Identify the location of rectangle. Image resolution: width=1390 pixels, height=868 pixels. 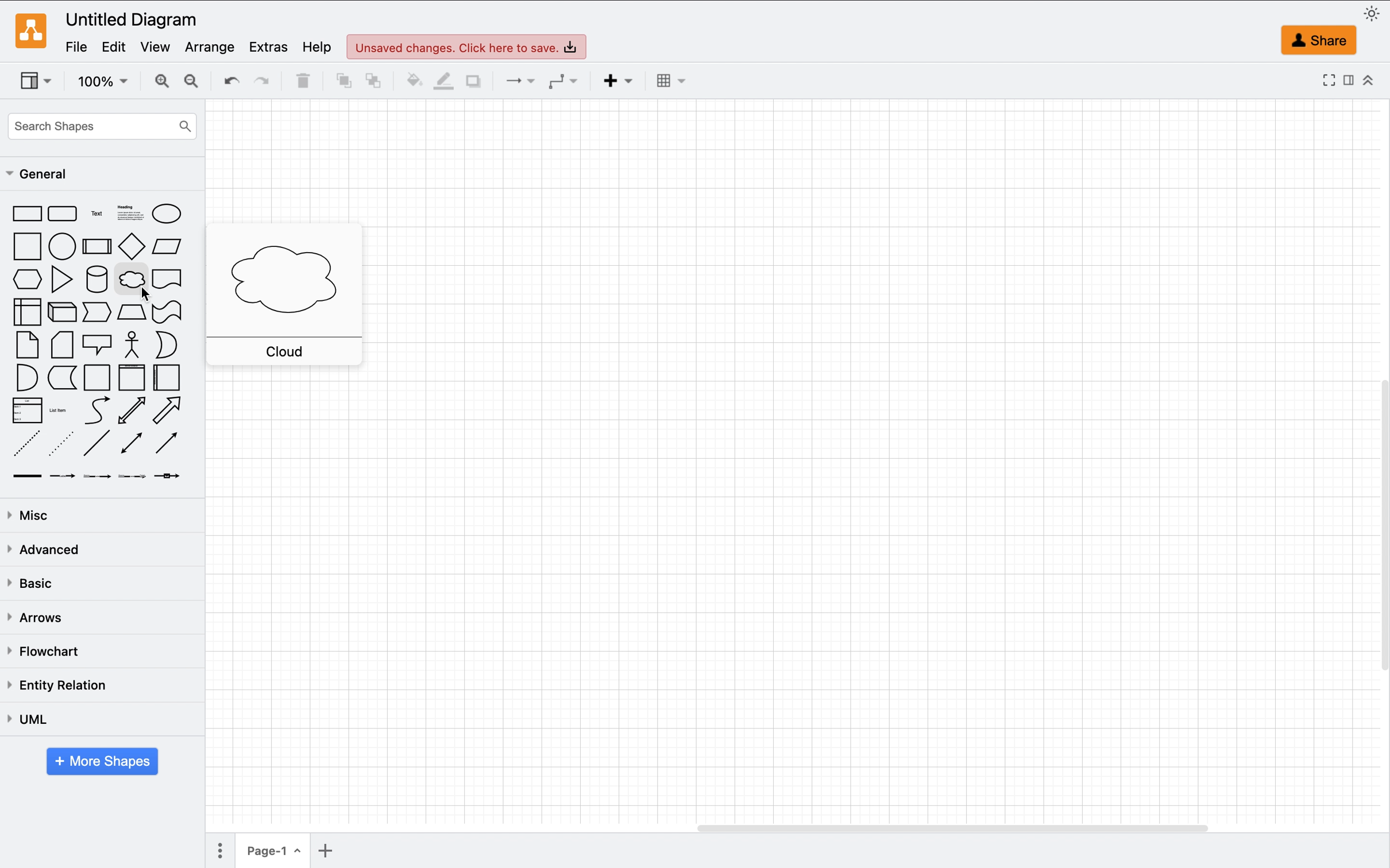
(26, 212).